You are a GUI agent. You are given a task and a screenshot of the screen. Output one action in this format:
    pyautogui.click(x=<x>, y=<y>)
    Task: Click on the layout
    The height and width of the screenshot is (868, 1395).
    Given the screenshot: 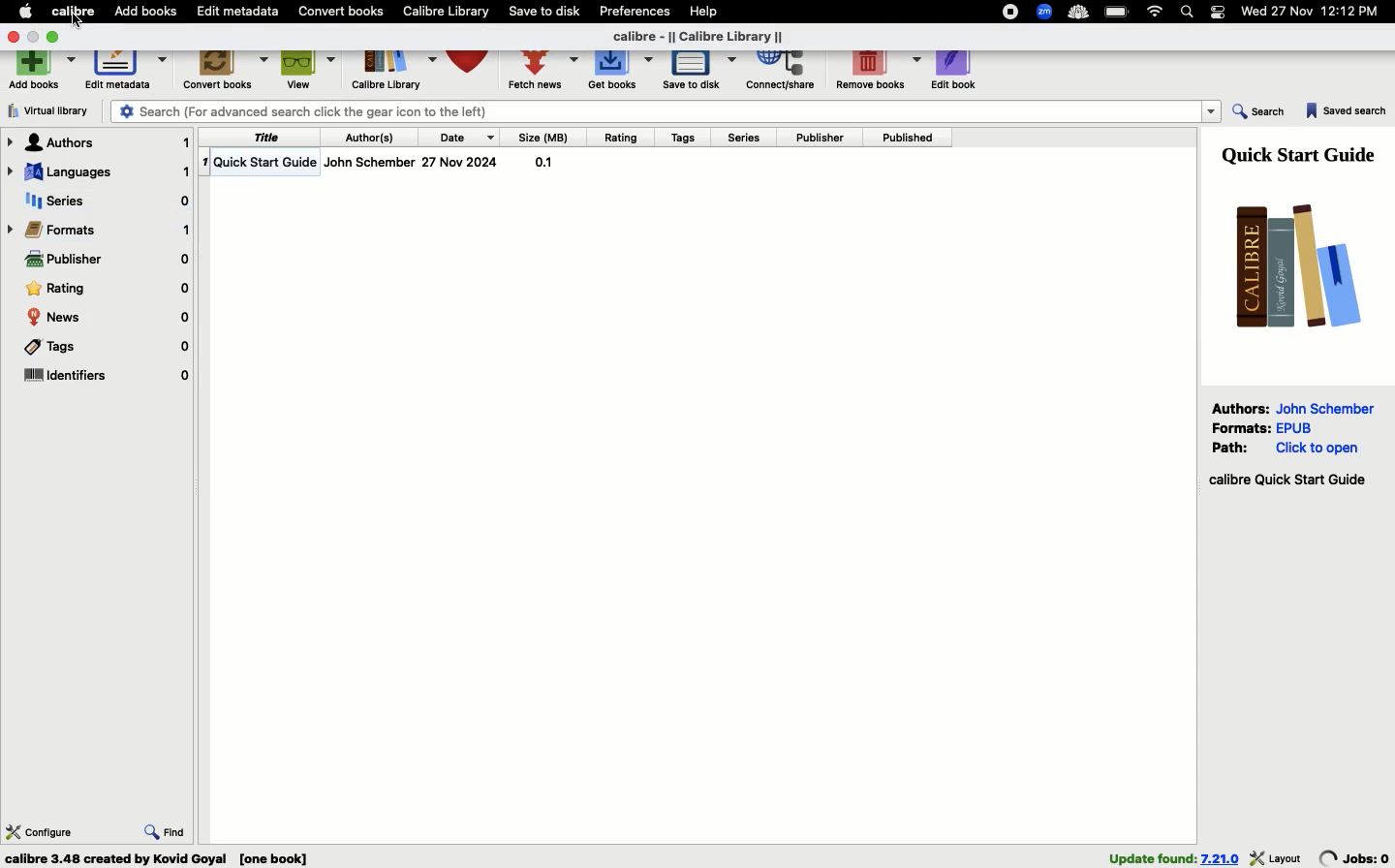 What is the action you would take?
    pyautogui.click(x=1277, y=857)
    